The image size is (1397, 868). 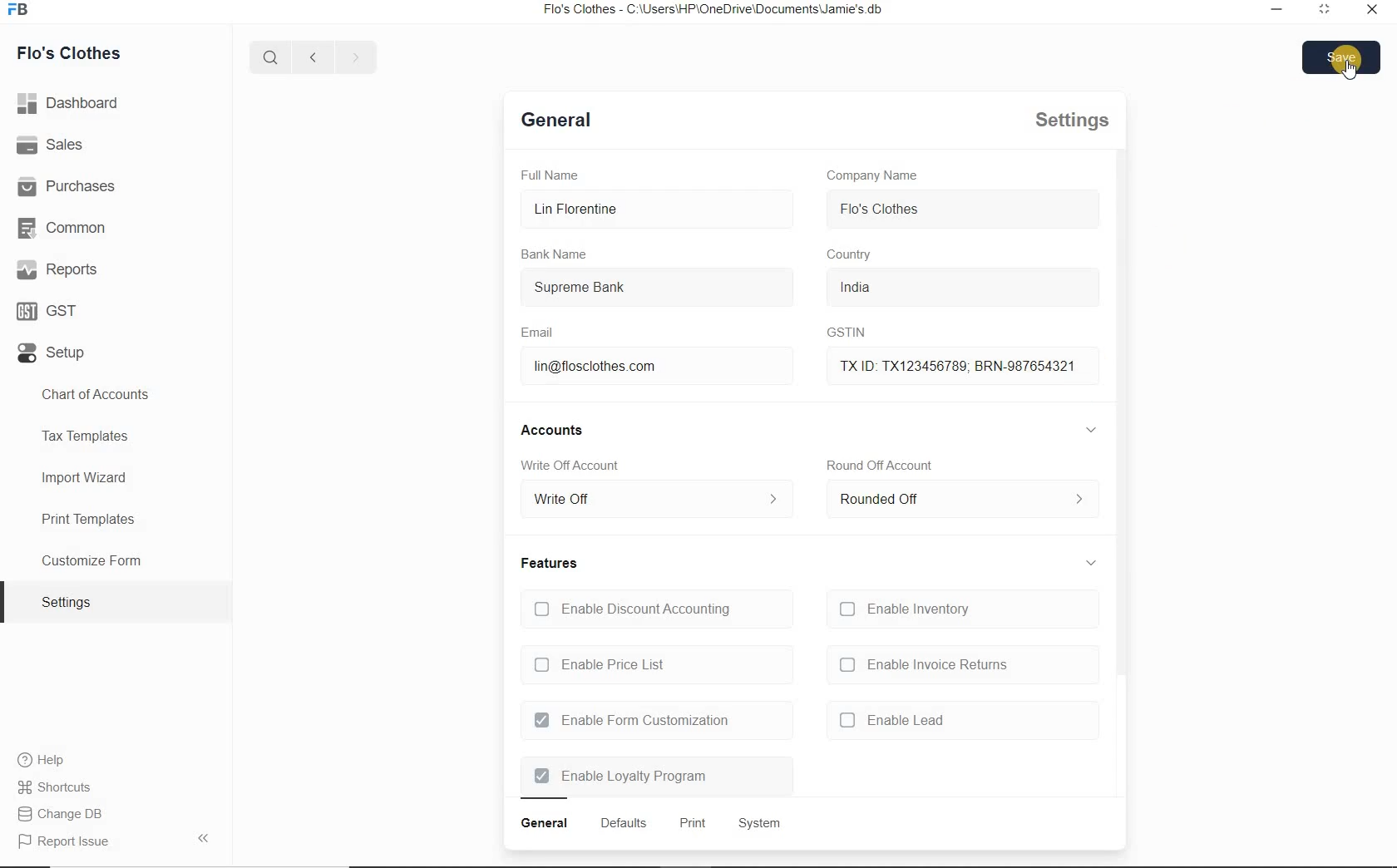 I want to click on dashboard, so click(x=70, y=103).